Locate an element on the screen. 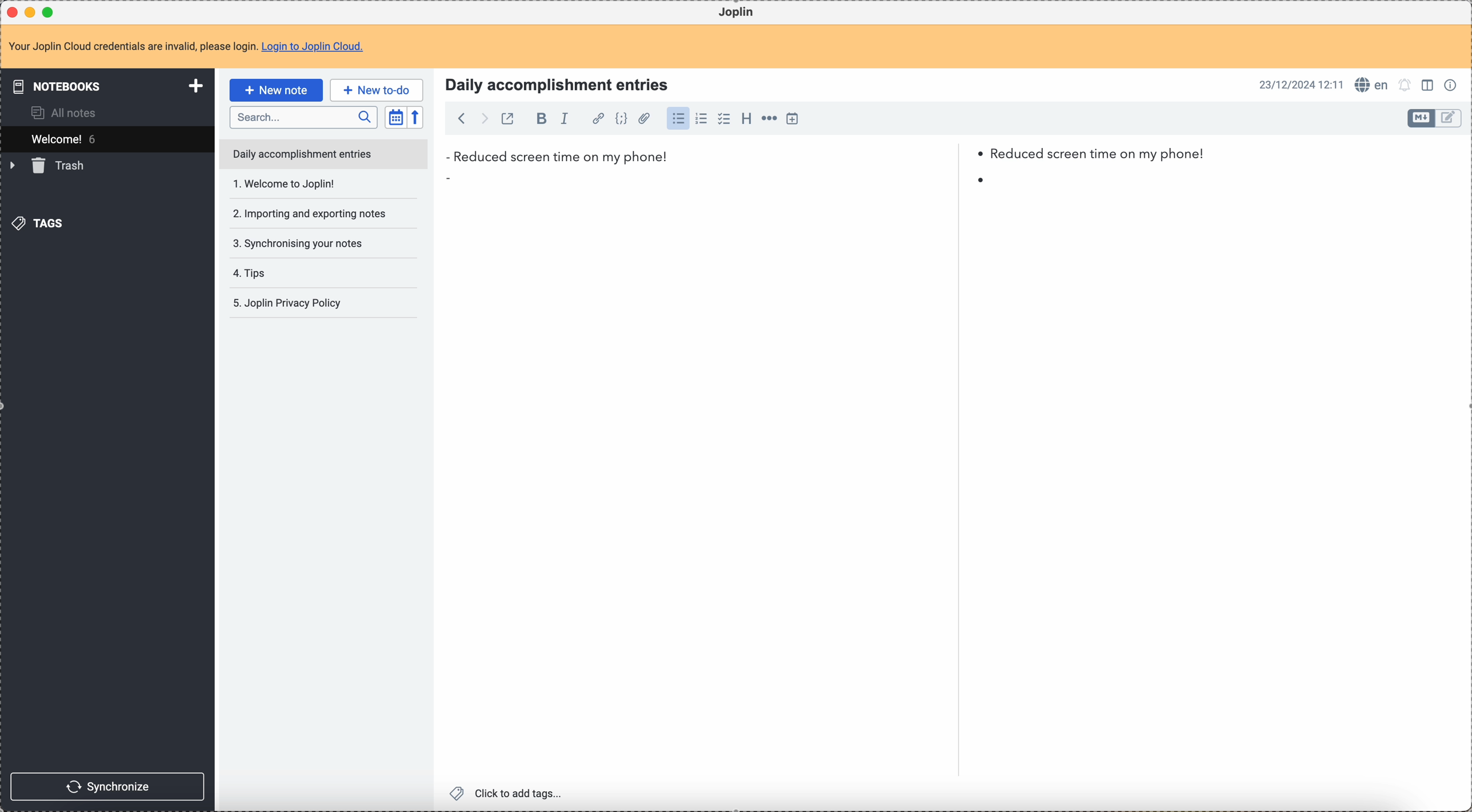 The image size is (1472, 812). all notes is located at coordinates (59, 113).